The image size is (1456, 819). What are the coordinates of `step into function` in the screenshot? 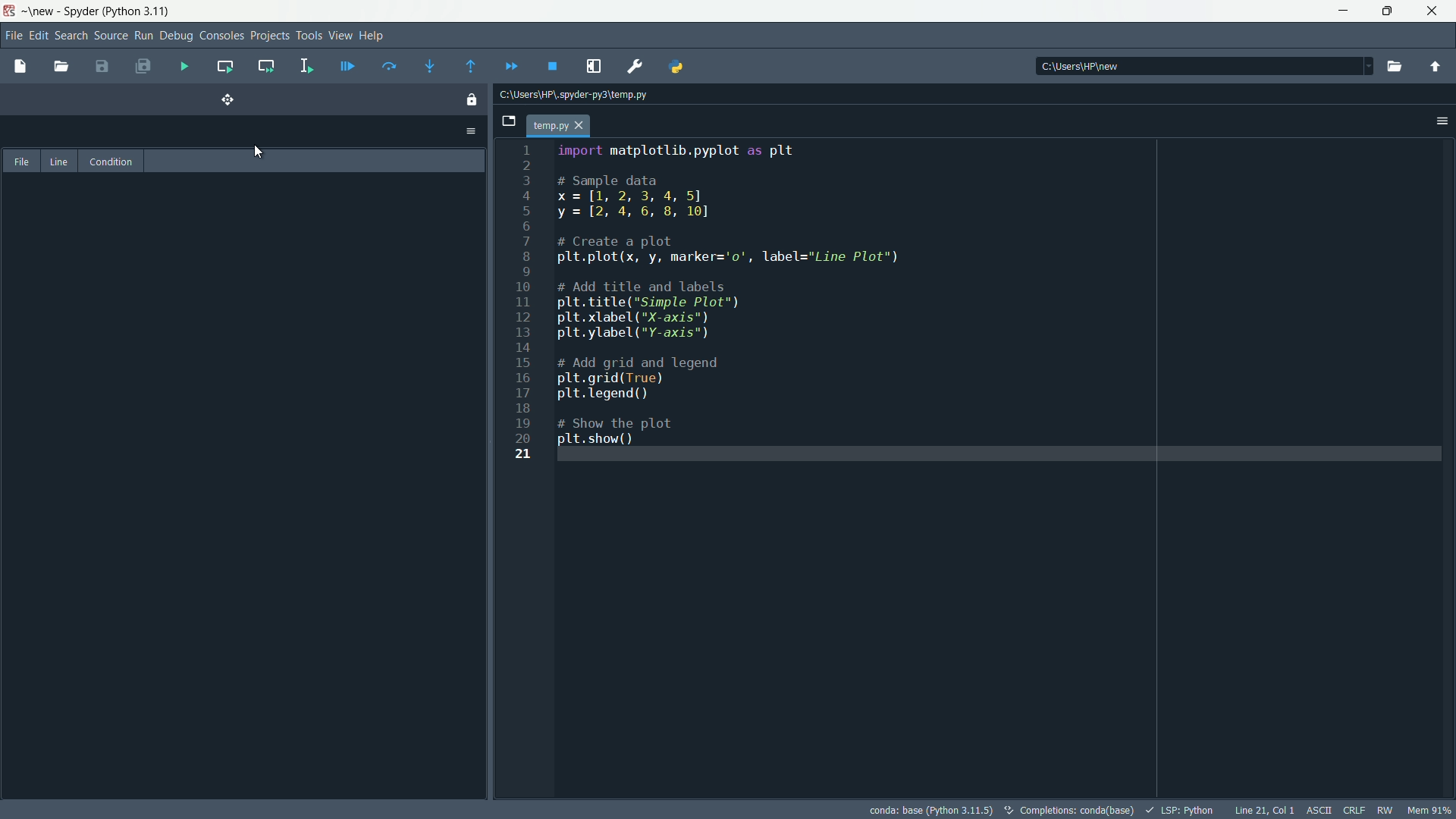 It's located at (425, 66).